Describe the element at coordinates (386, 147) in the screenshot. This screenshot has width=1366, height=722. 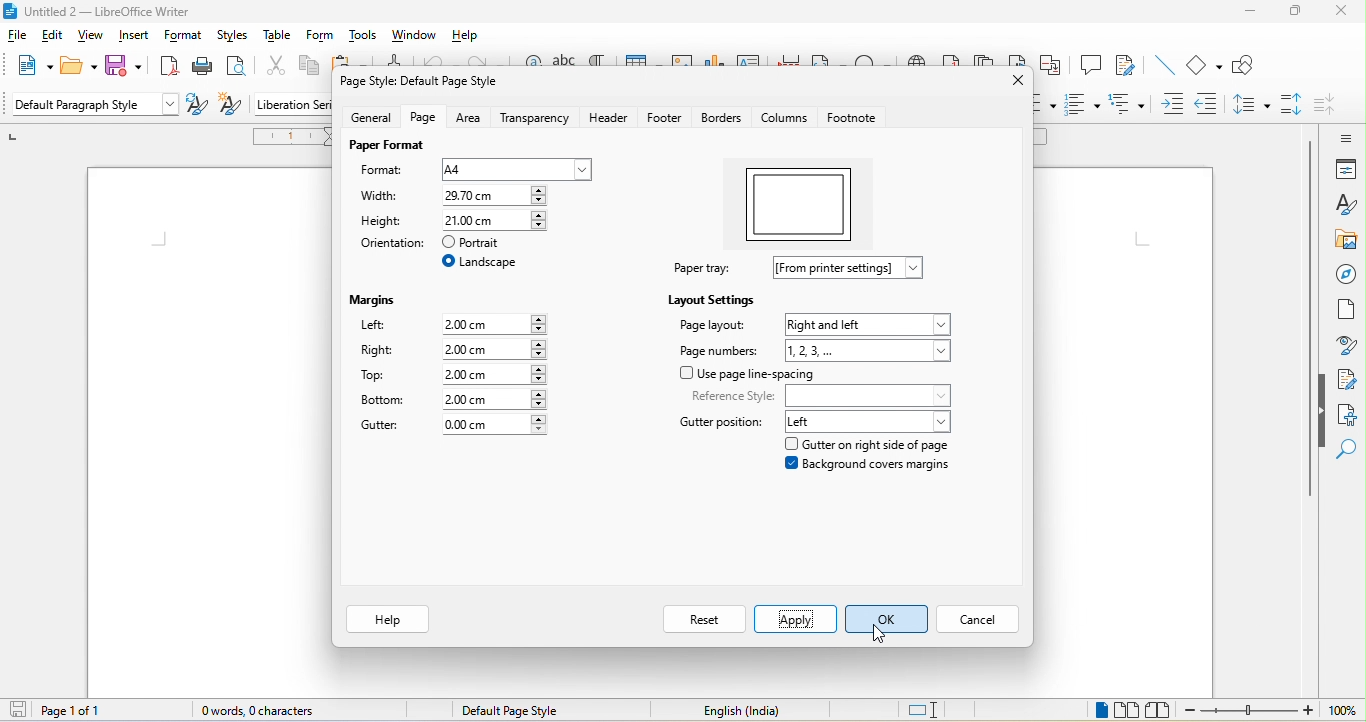
I see `paper format` at that location.